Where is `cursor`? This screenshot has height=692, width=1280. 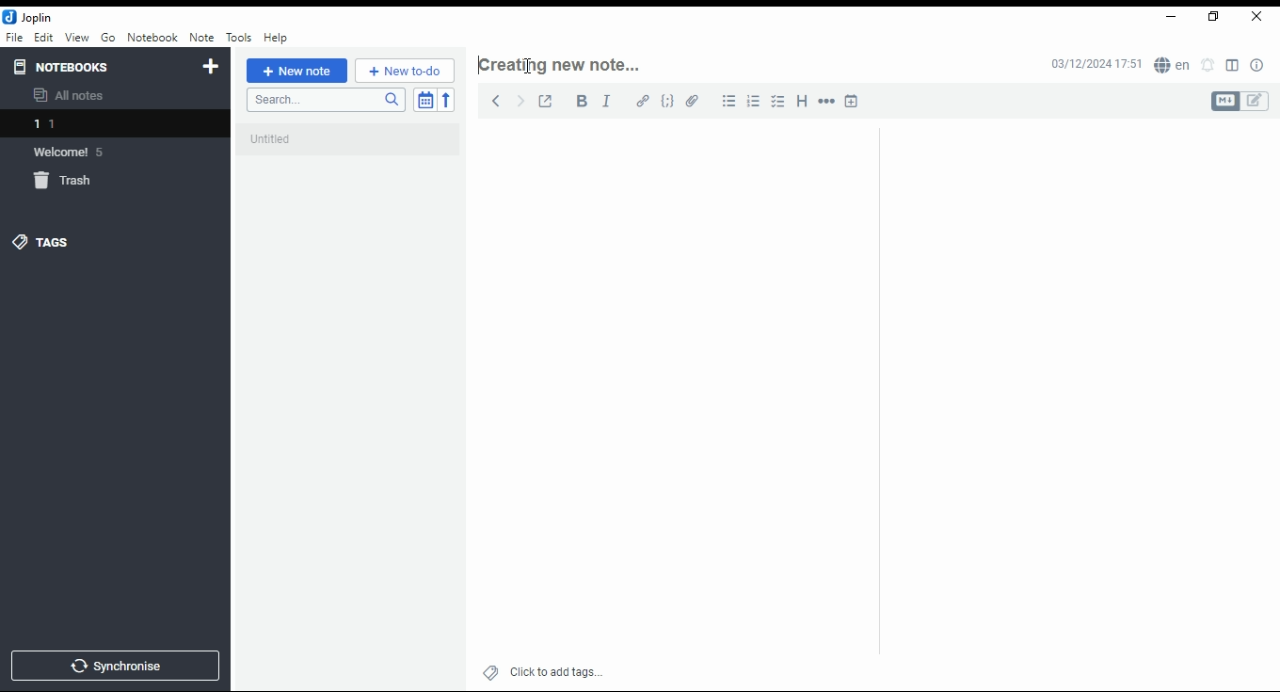 cursor is located at coordinates (530, 67).